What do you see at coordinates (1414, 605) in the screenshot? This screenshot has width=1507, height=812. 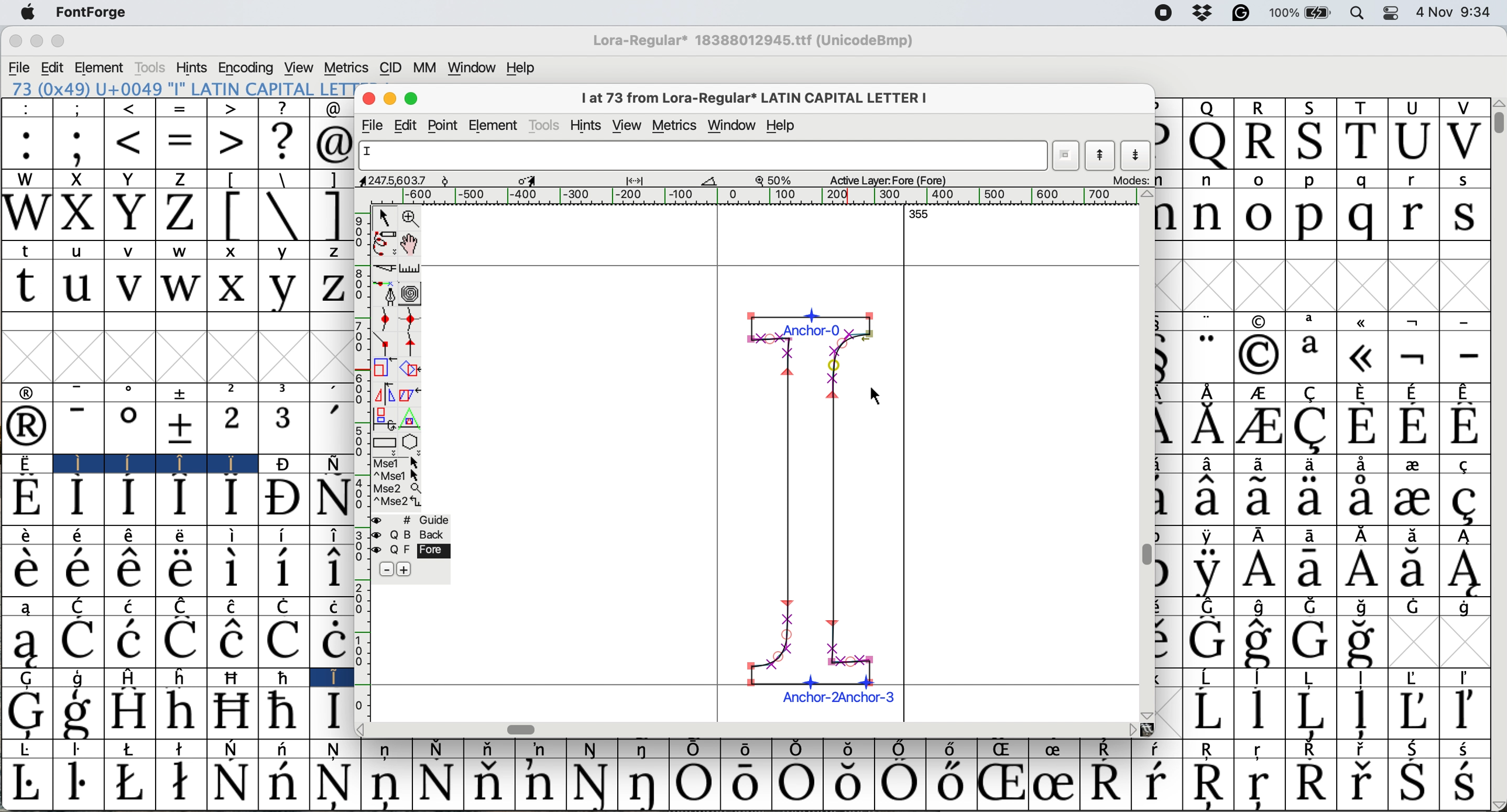 I see `` at bounding box center [1414, 605].